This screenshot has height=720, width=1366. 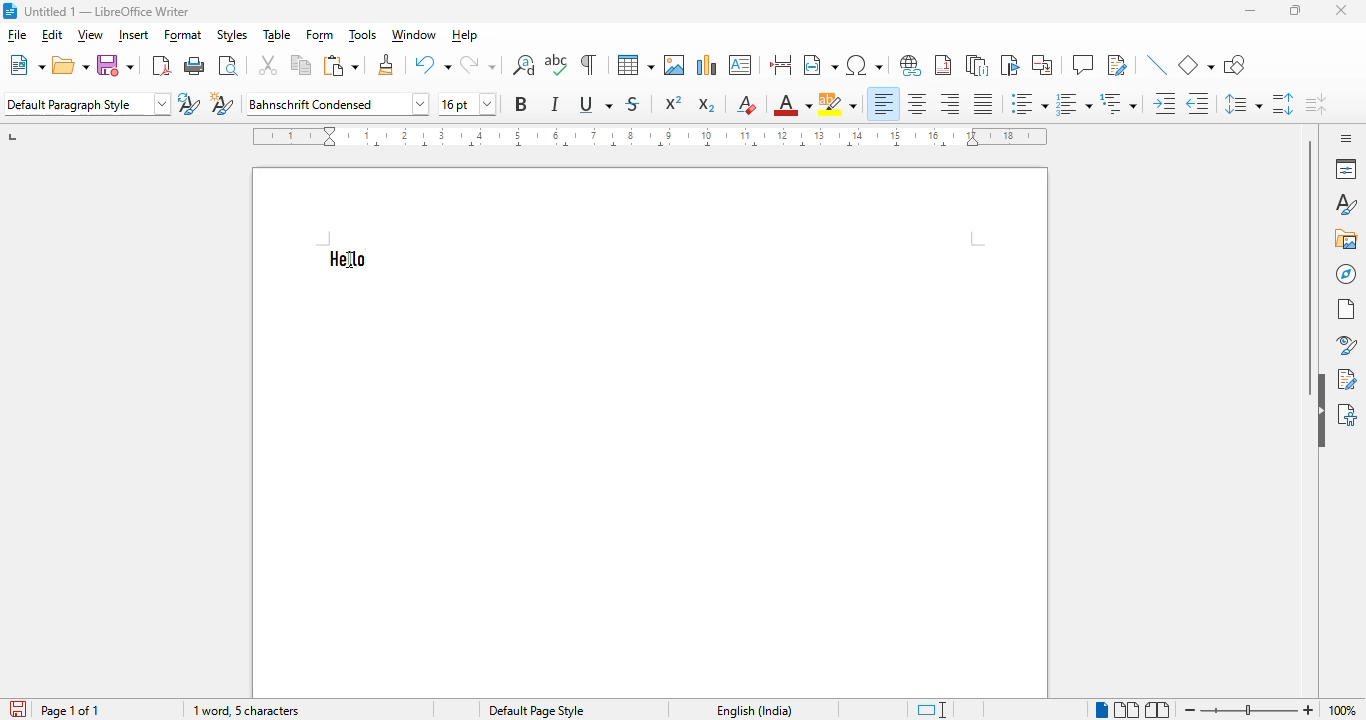 What do you see at coordinates (53, 35) in the screenshot?
I see `edit` at bounding box center [53, 35].